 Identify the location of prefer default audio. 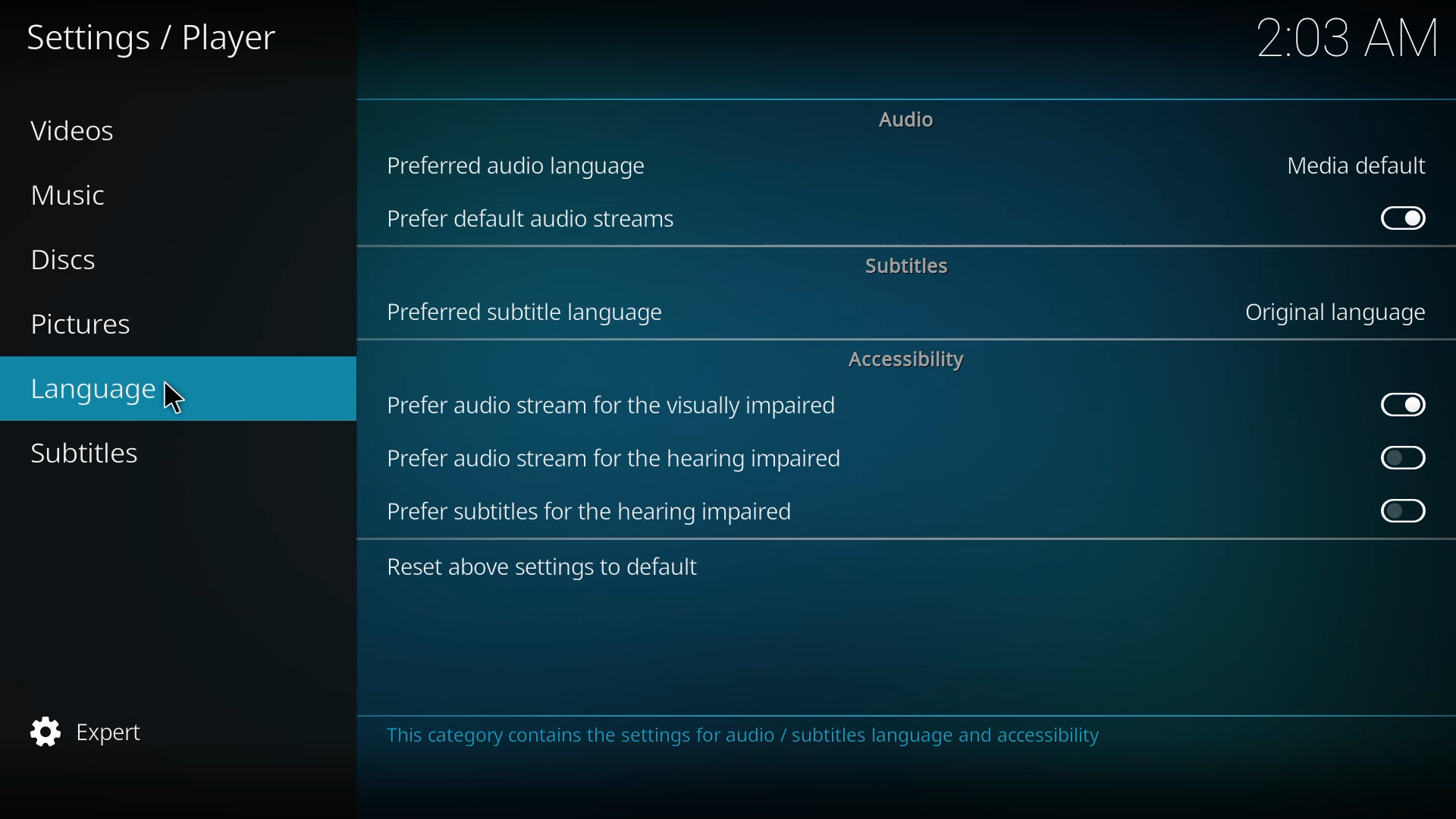
(529, 218).